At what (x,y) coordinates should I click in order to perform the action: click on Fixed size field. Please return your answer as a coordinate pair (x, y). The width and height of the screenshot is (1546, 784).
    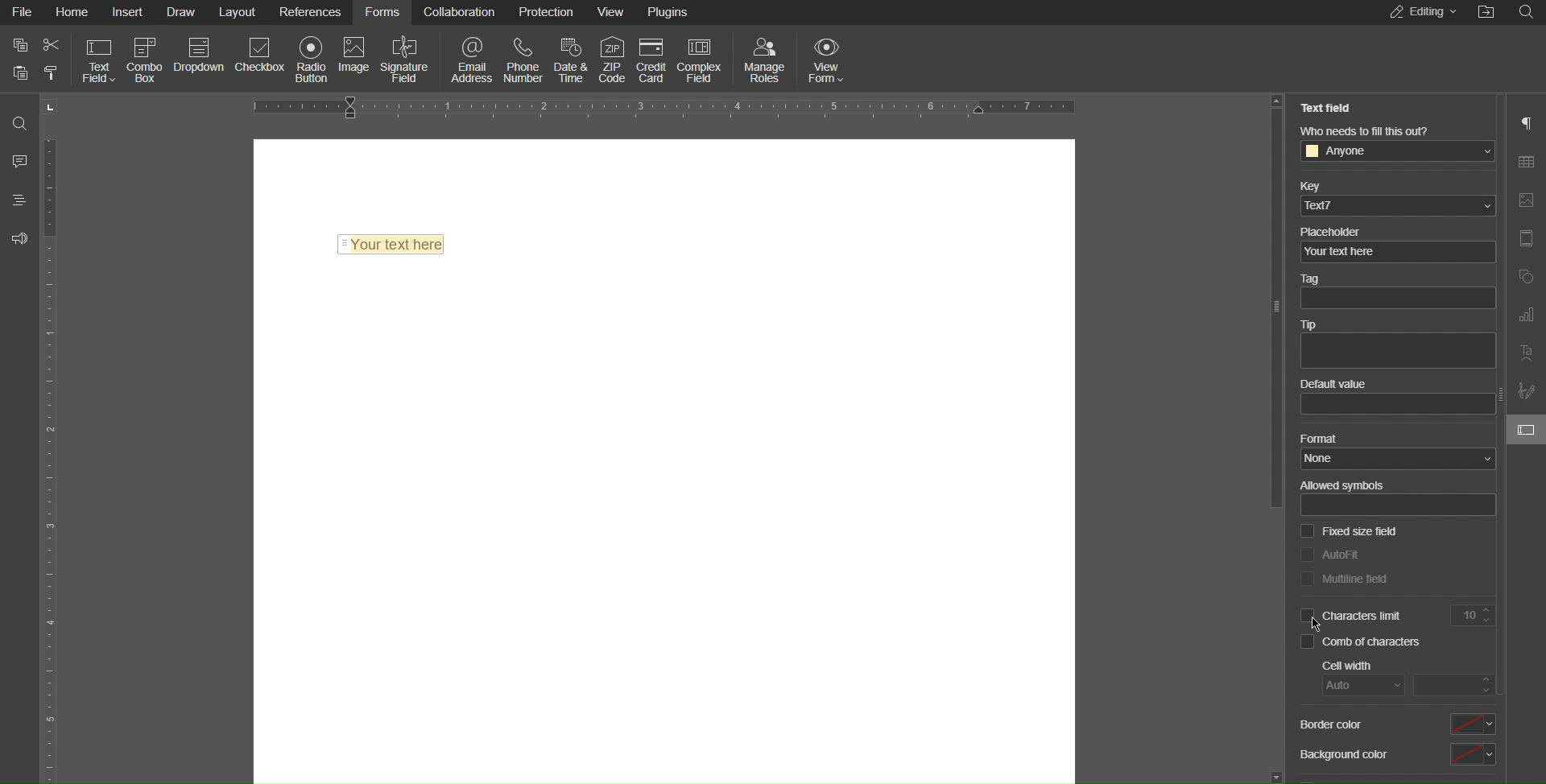
    Looking at the image, I should click on (1348, 532).